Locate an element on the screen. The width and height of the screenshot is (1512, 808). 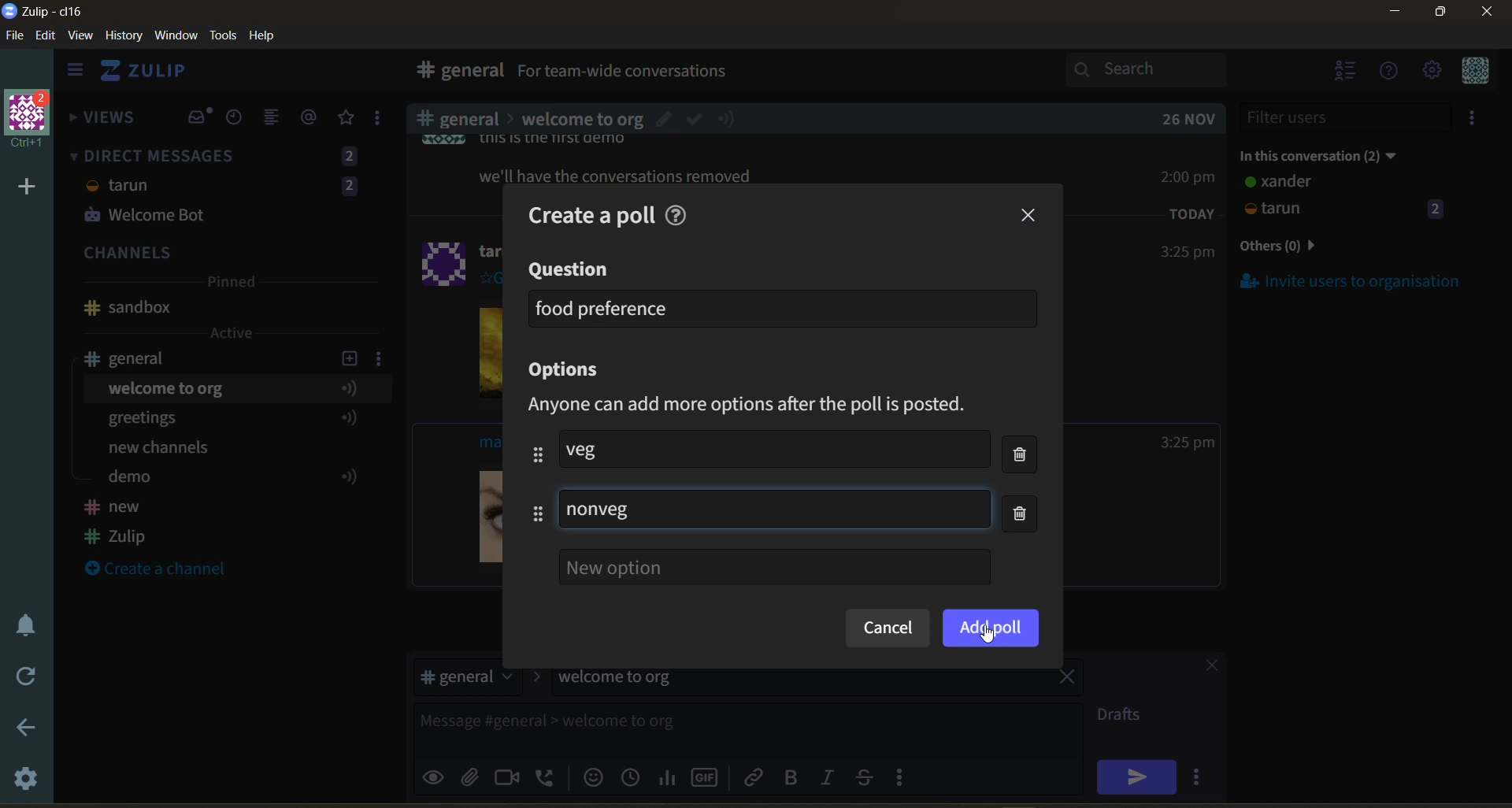
question is located at coordinates (571, 270).